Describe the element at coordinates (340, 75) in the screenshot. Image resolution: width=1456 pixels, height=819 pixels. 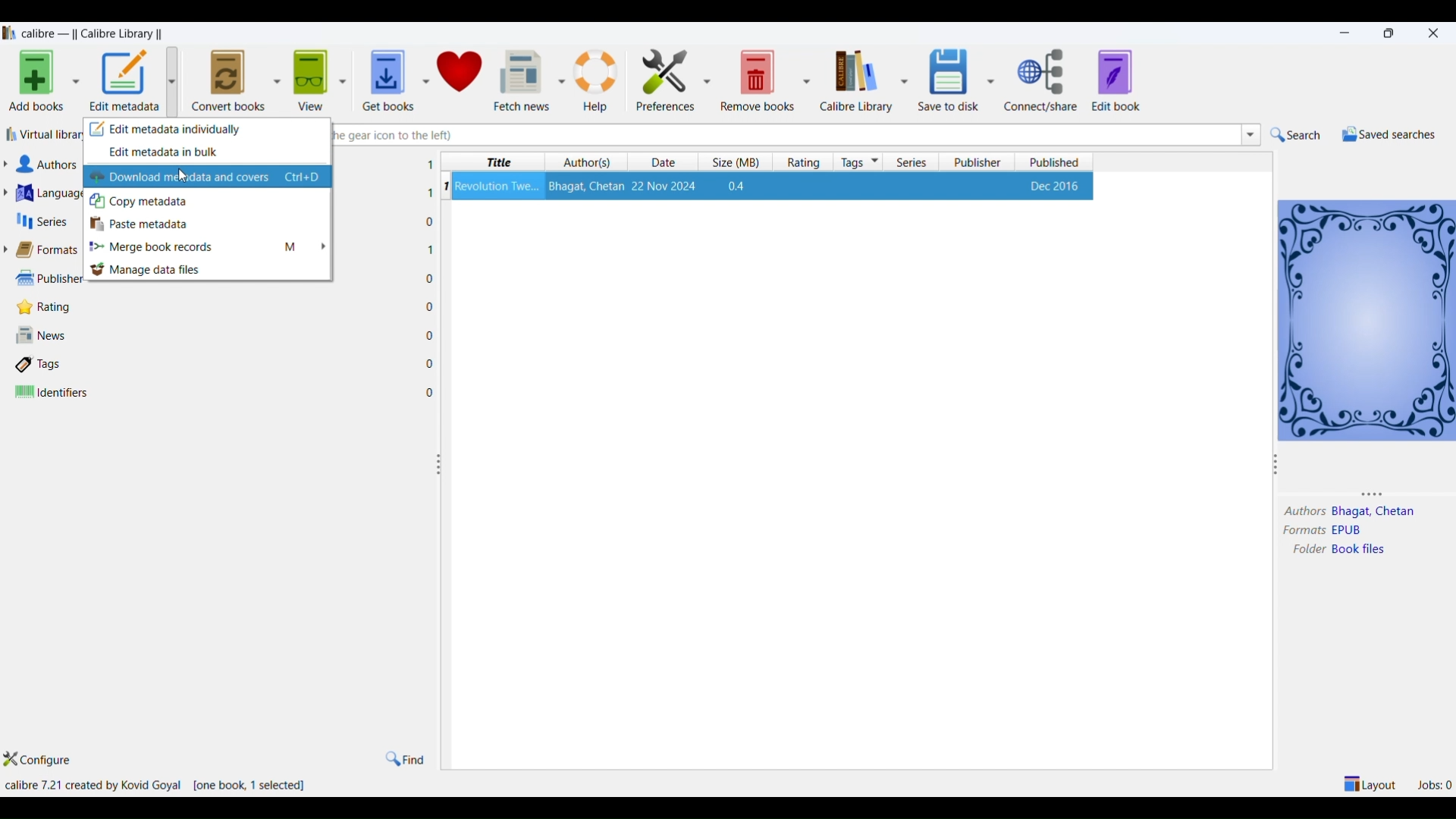
I see `view options dropdown button` at that location.